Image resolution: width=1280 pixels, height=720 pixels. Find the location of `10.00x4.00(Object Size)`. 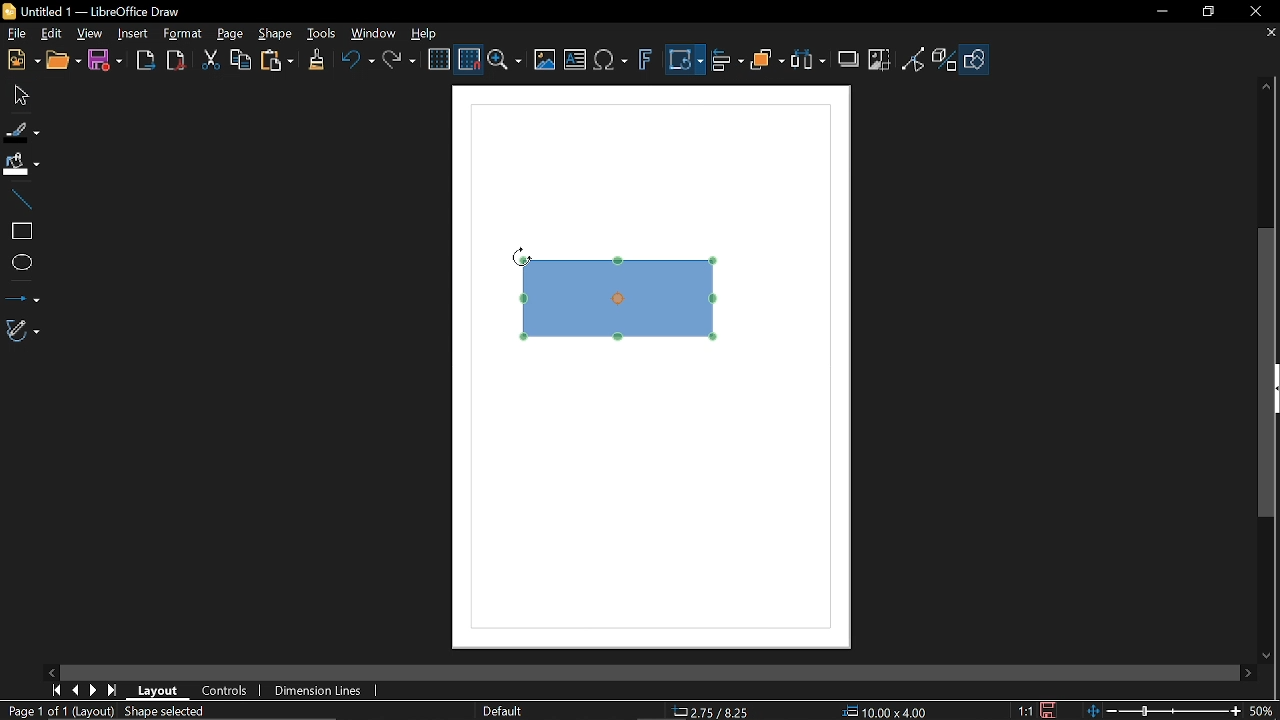

10.00x4.00(Object Size) is located at coordinates (885, 712).